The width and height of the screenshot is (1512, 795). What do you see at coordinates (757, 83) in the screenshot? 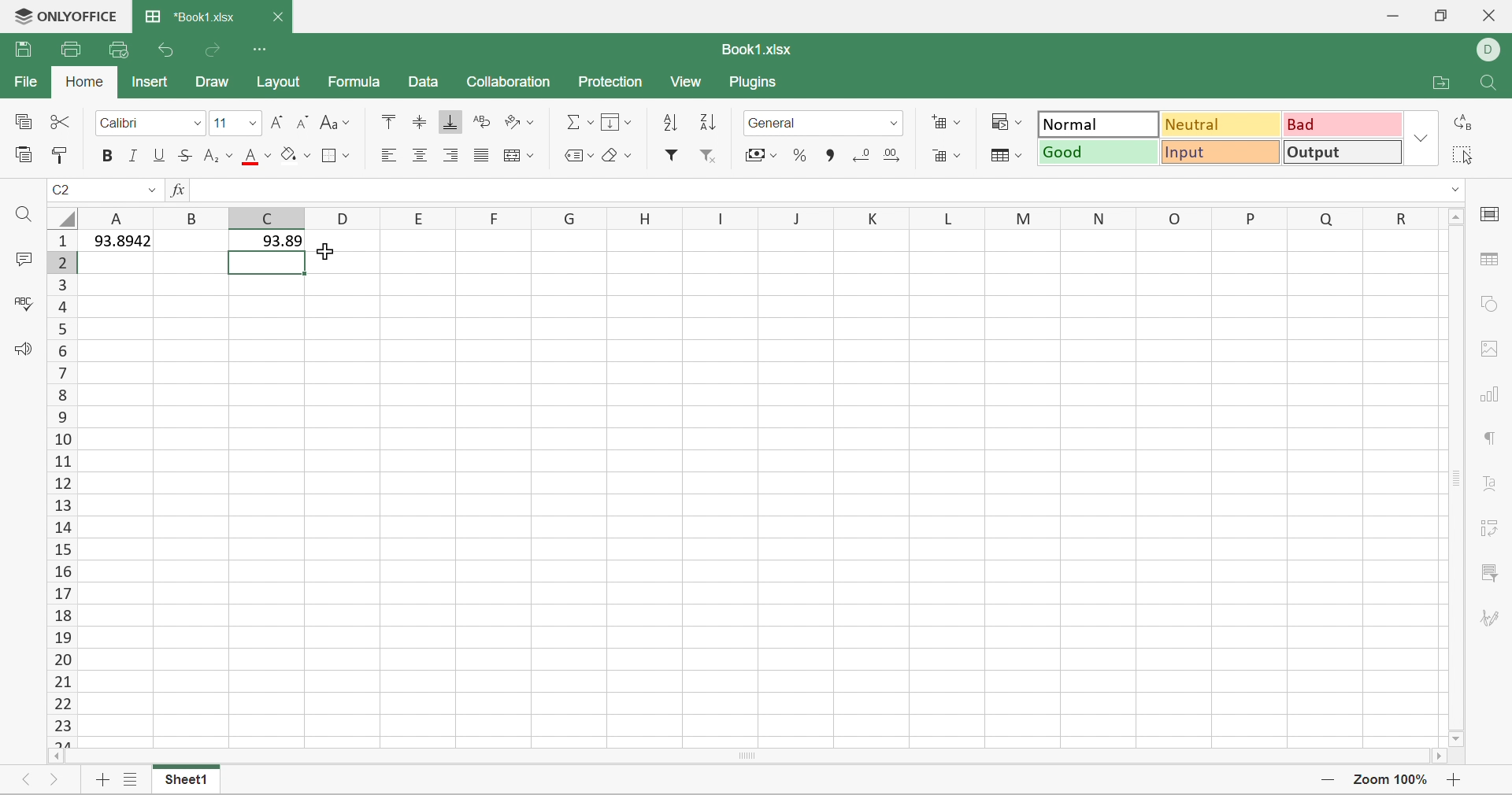
I see `Plugins` at bounding box center [757, 83].